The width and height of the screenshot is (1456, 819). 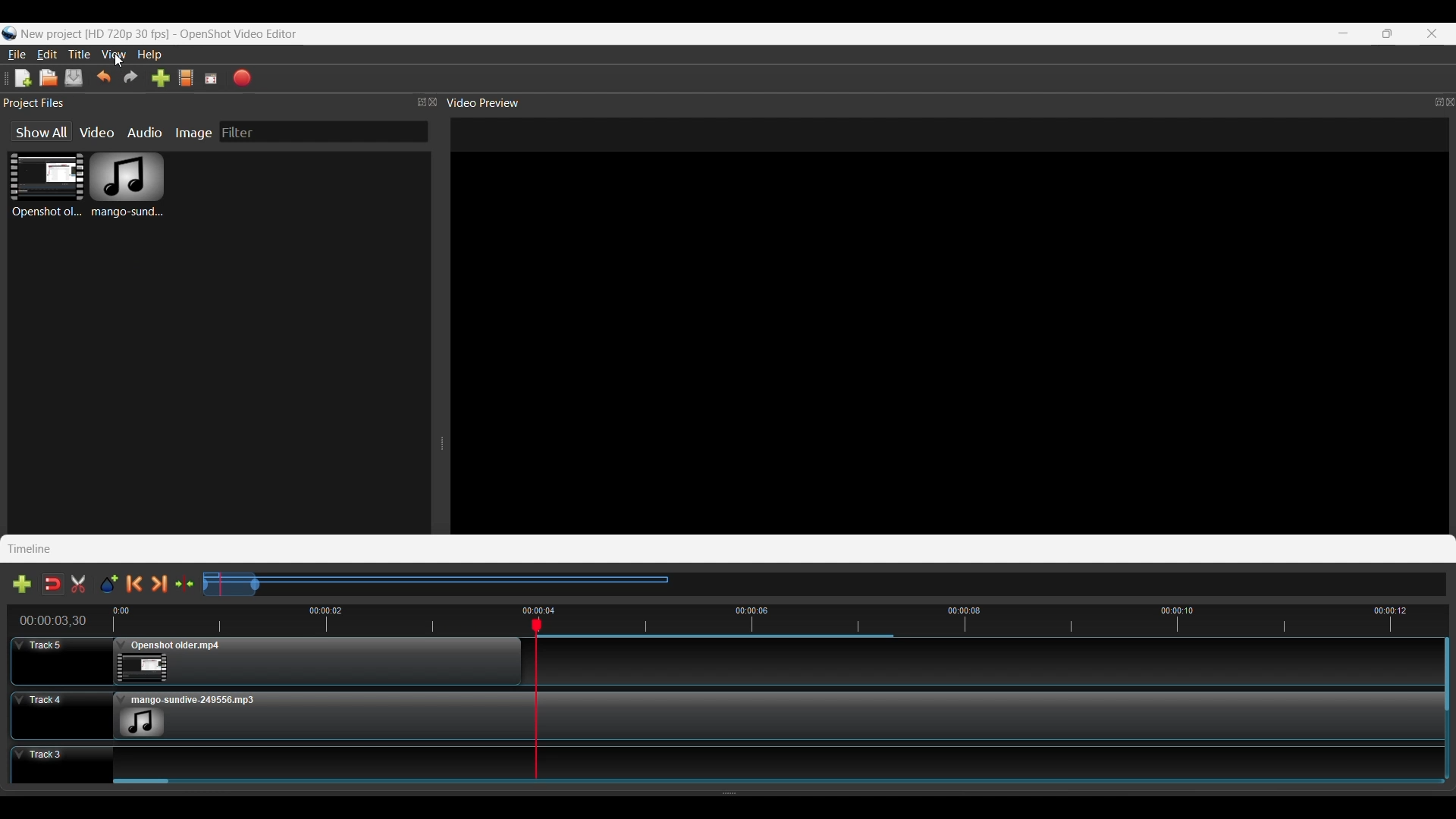 I want to click on Video File, so click(x=46, y=185).